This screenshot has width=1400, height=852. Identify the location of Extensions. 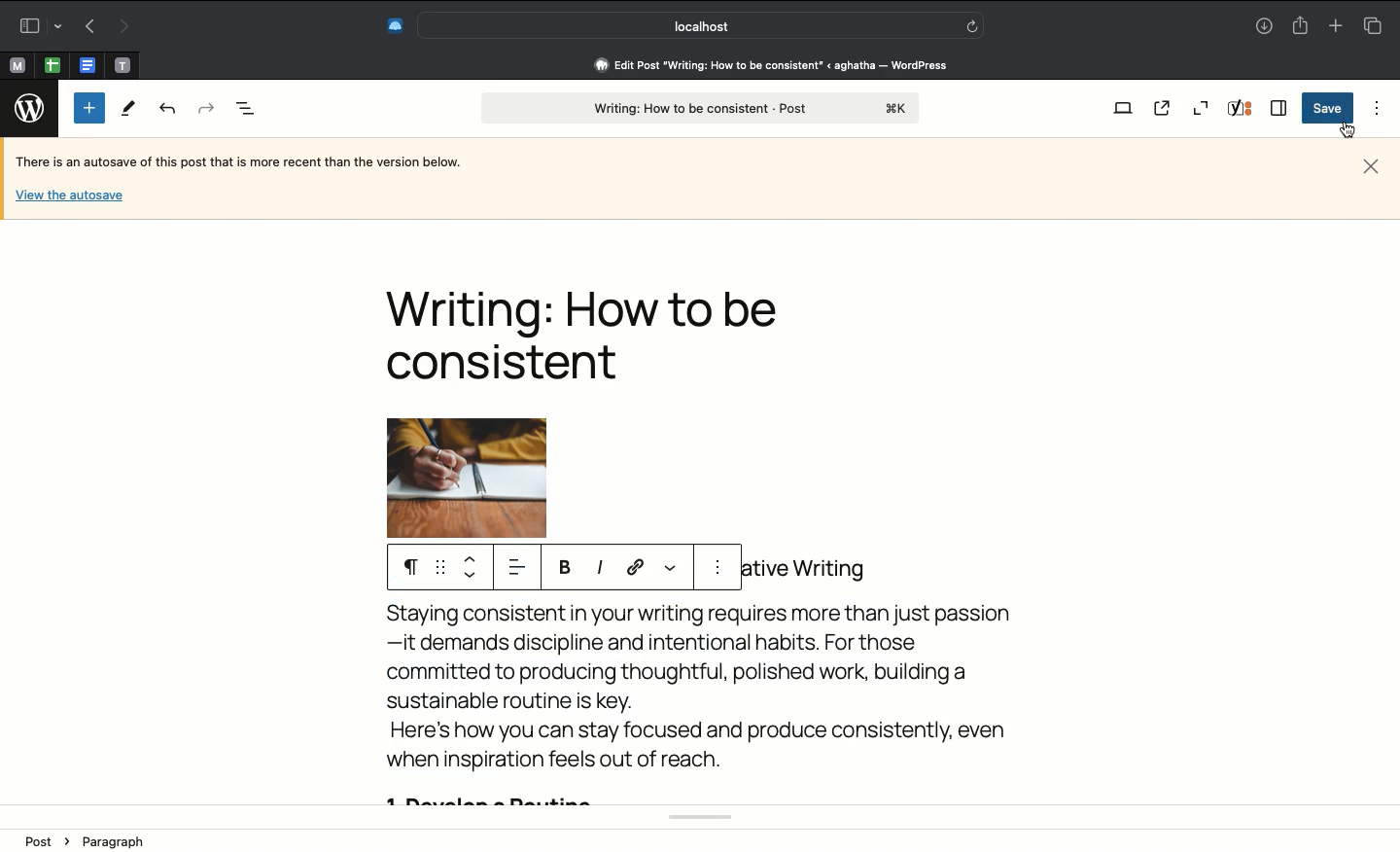
(394, 23).